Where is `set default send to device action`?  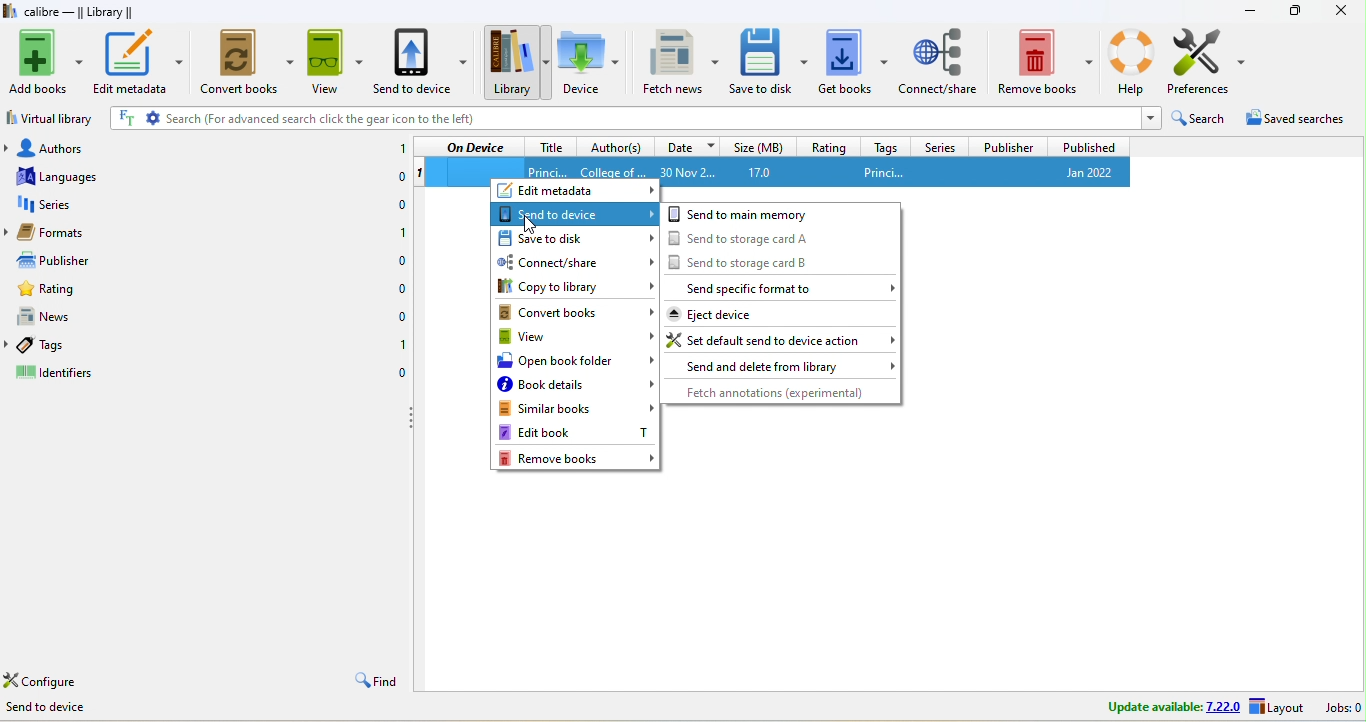 set default send to device action is located at coordinates (781, 338).